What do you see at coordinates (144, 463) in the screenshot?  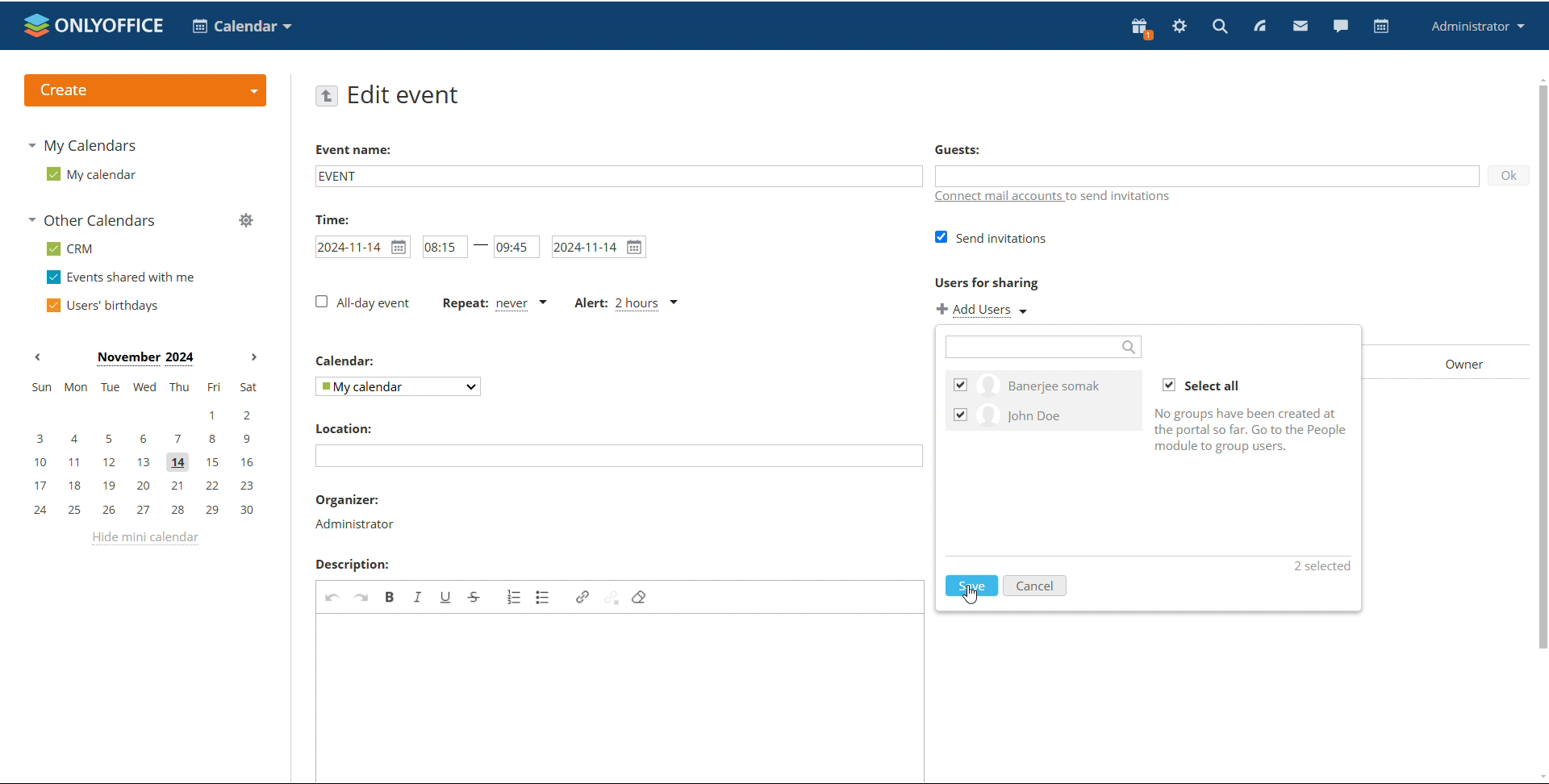 I see `10, 11, 12, 13, 14, 15, 16` at bounding box center [144, 463].